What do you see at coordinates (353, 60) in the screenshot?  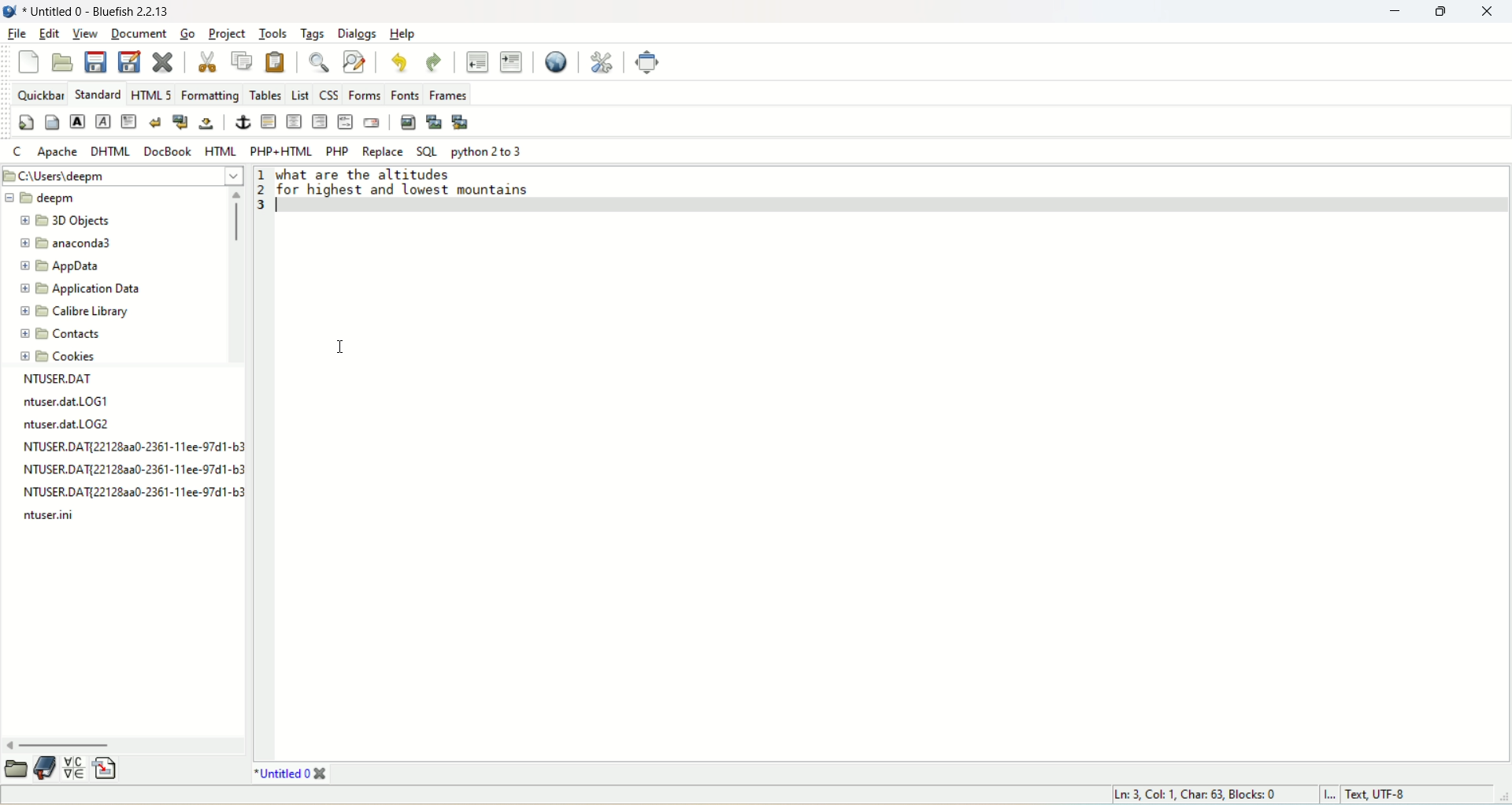 I see `advanced find and replace` at bounding box center [353, 60].